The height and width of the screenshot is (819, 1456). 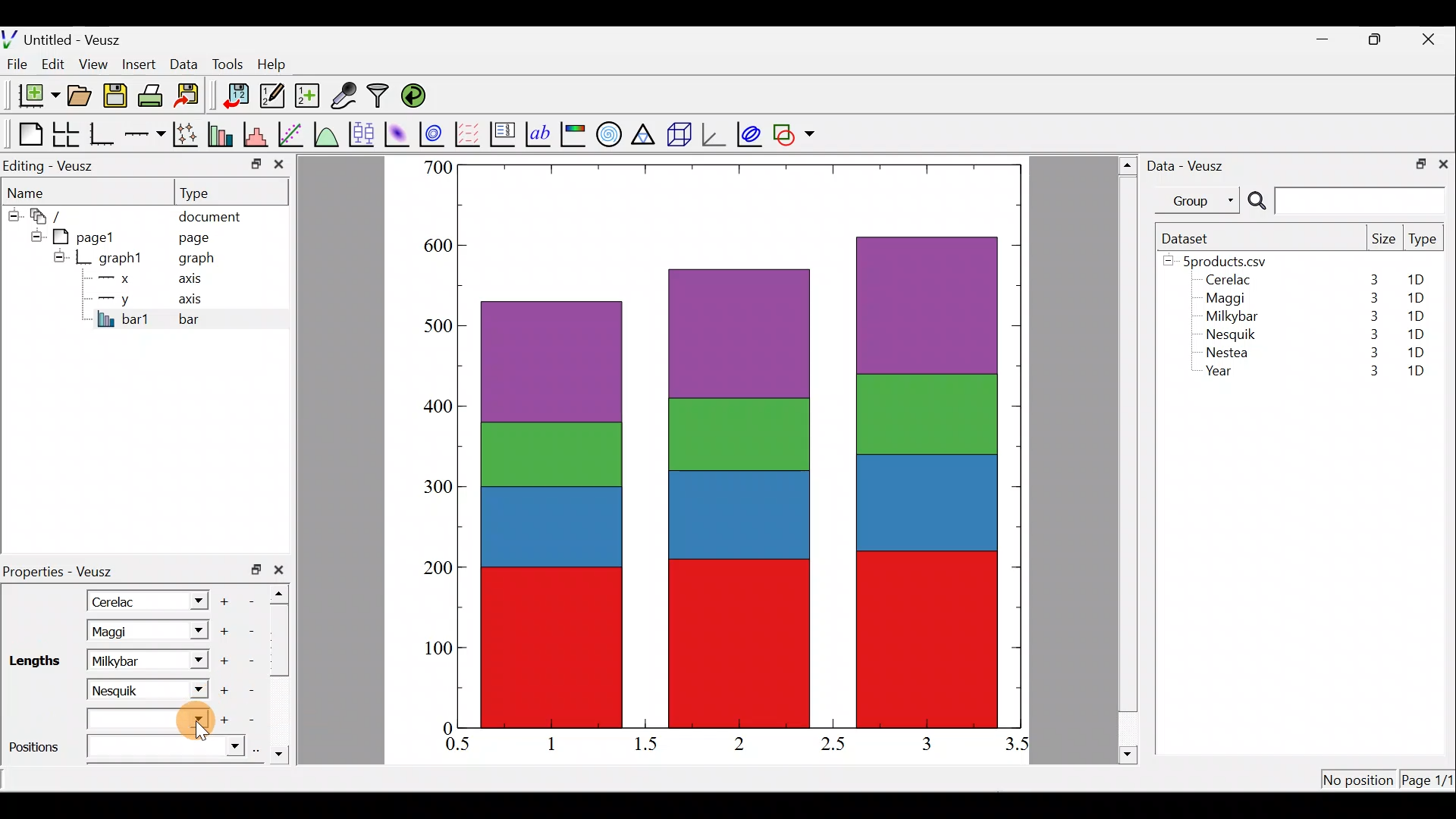 I want to click on Text label, so click(x=540, y=132).